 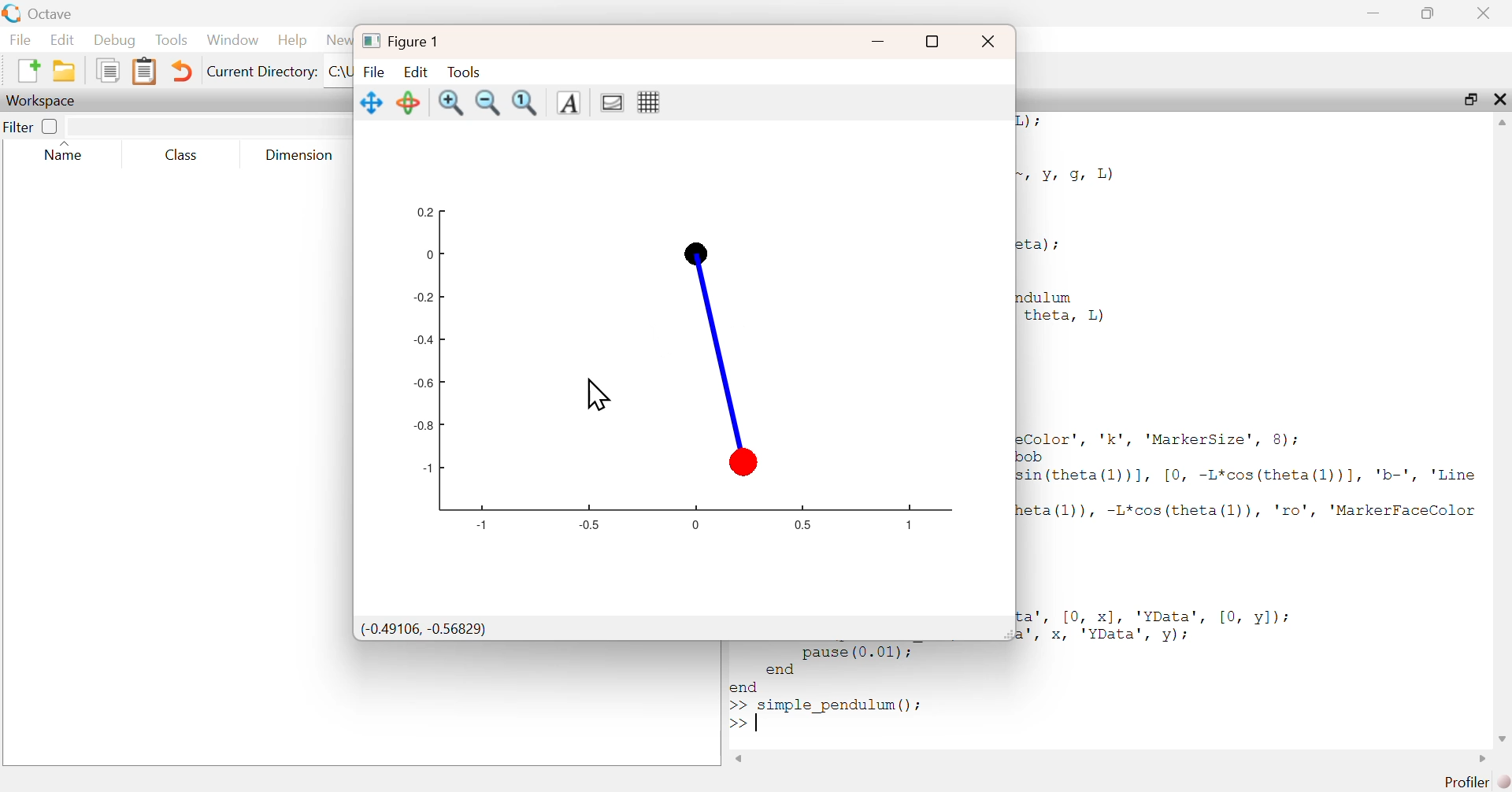 I want to click on Minimize, so click(x=1374, y=13).